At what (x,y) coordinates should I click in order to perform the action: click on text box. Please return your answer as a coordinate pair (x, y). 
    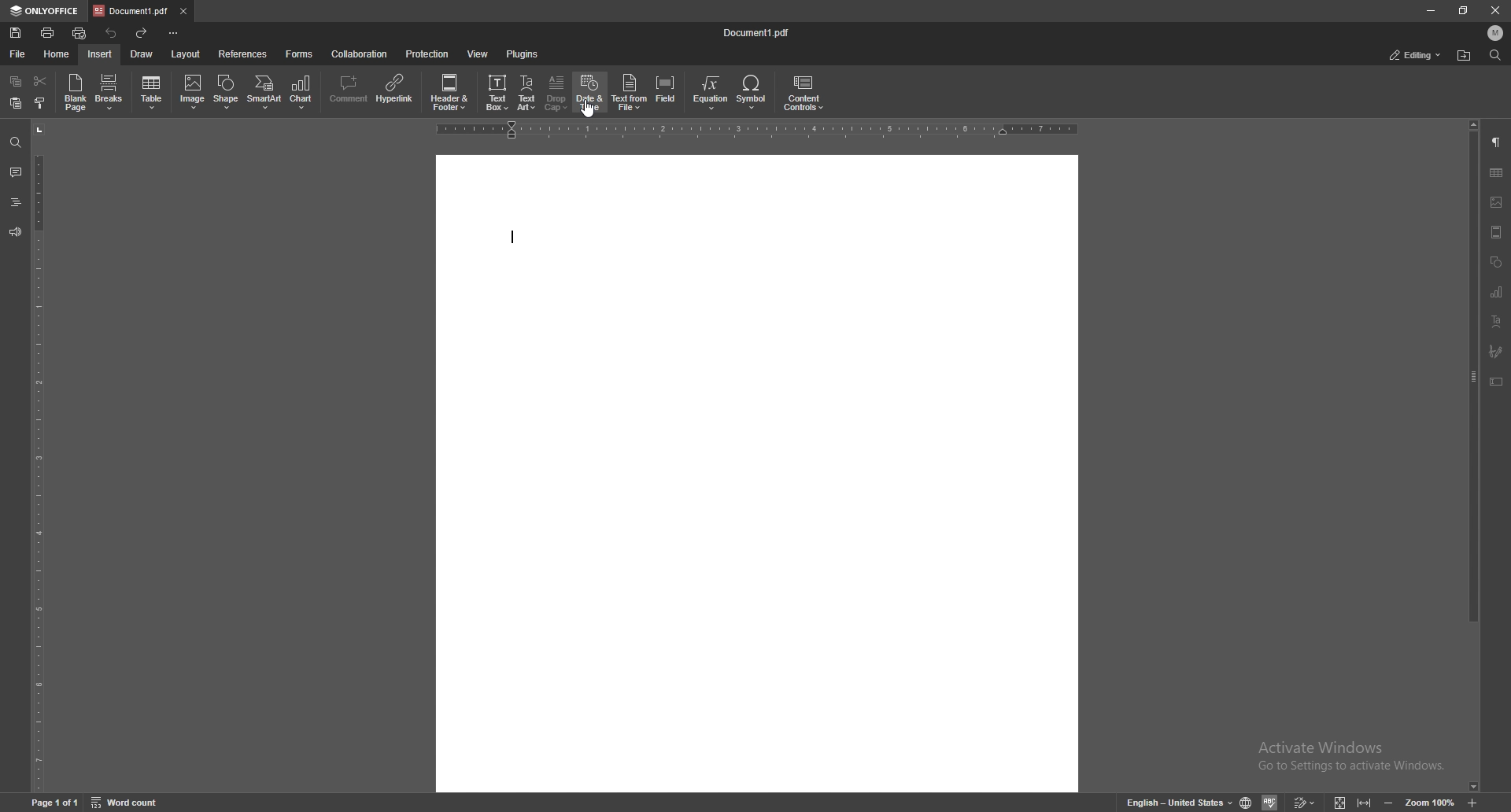
    Looking at the image, I should click on (497, 92).